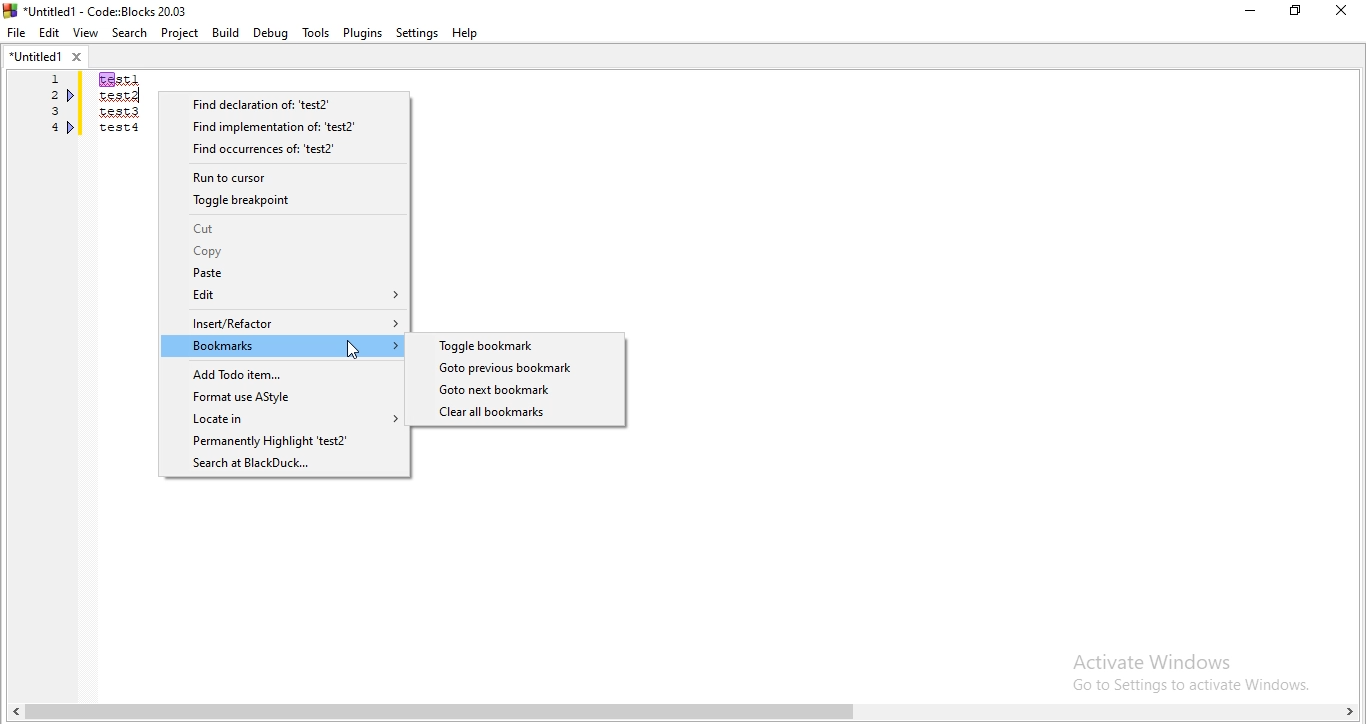 The width and height of the screenshot is (1366, 724). I want to click on bookmark, so click(72, 127).